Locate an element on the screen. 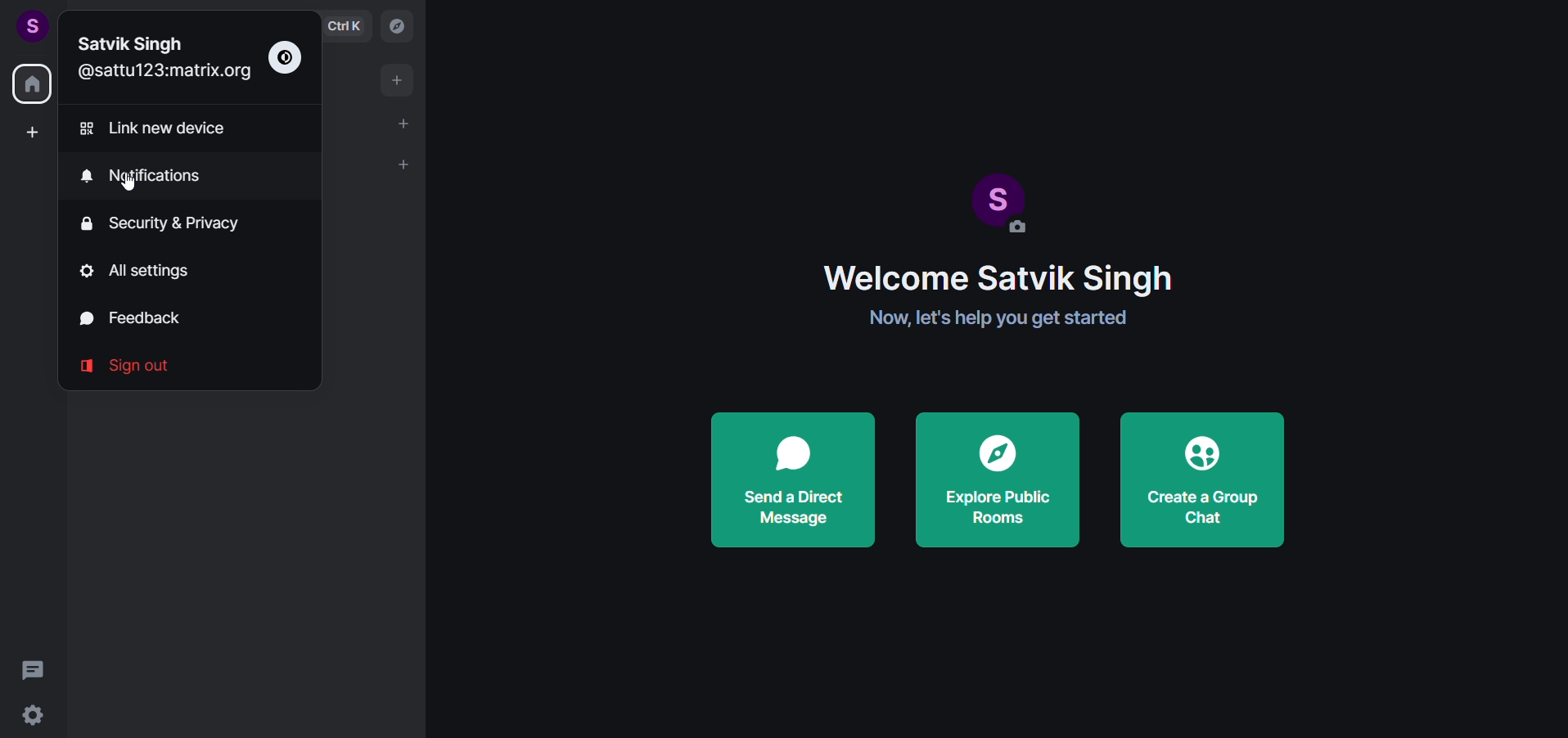 This screenshot has height=738, width=1568. home is located at coordinates (32, 83).